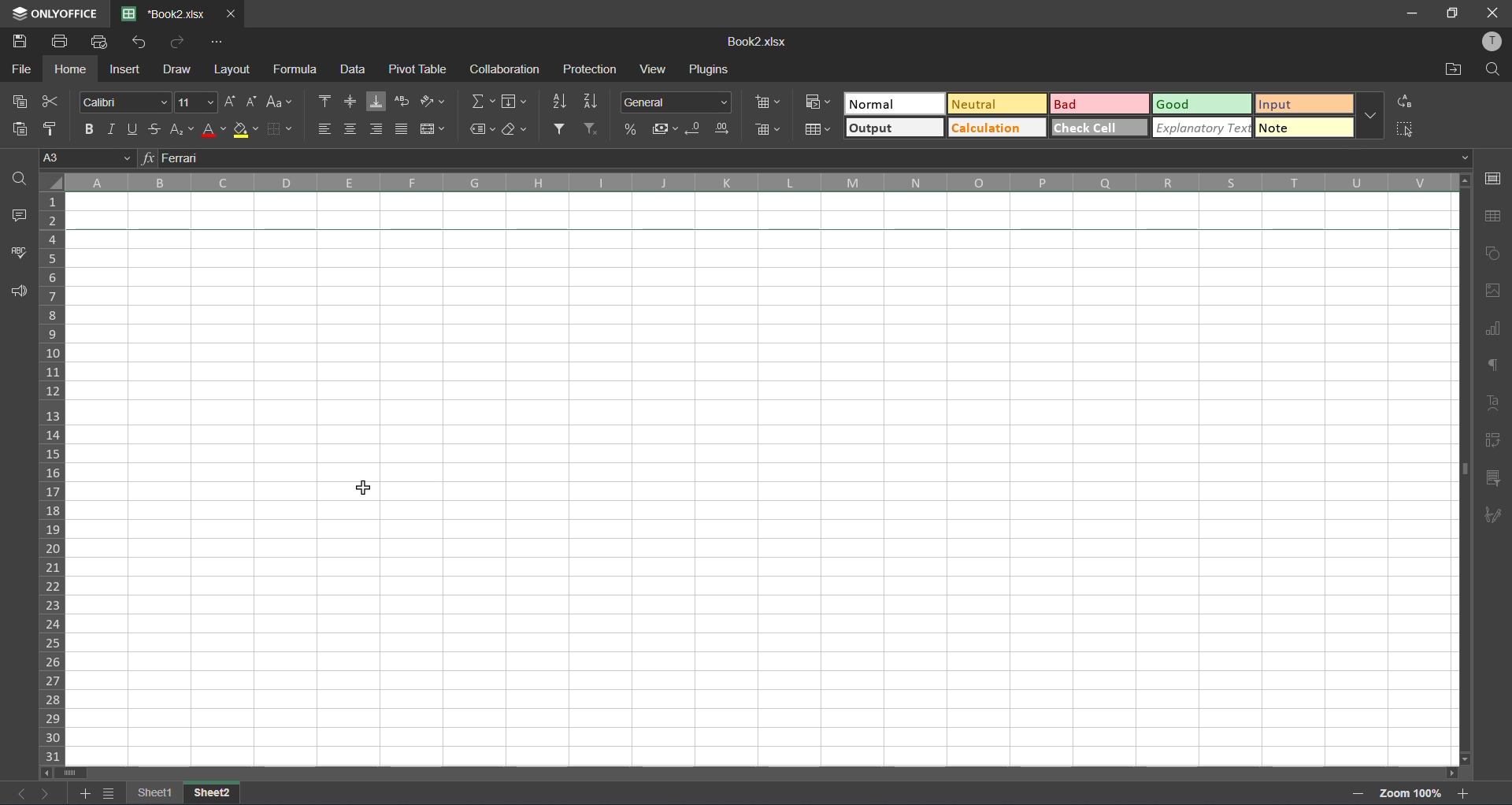  I want to click on justified, so click(403, 127).